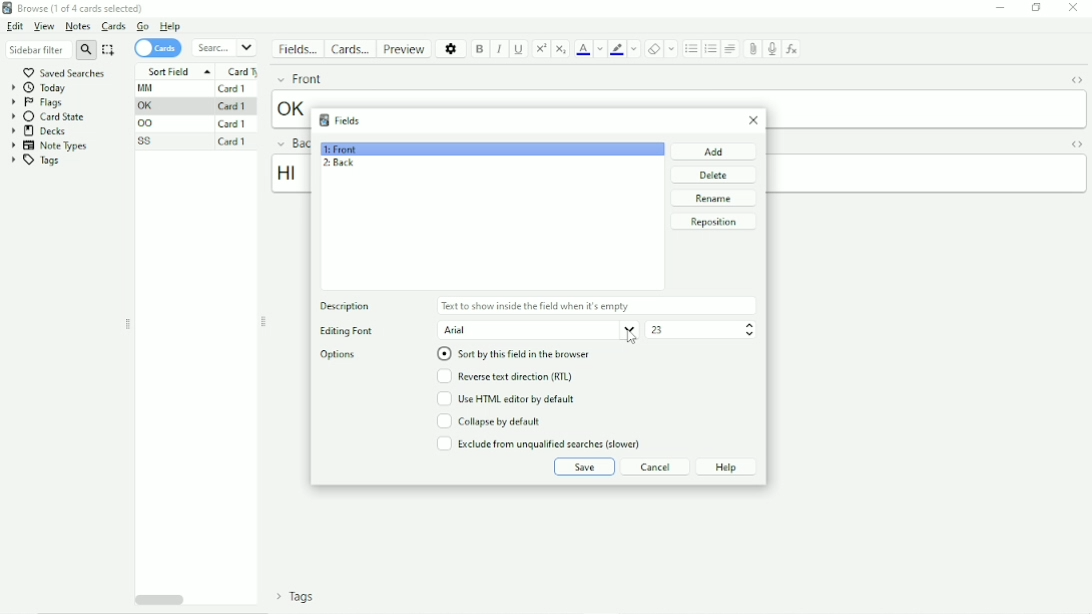  Describe the element at coordinates (76, 8) in the screenshot. I see `Browse(1 of 4 cards selected)` at that location.